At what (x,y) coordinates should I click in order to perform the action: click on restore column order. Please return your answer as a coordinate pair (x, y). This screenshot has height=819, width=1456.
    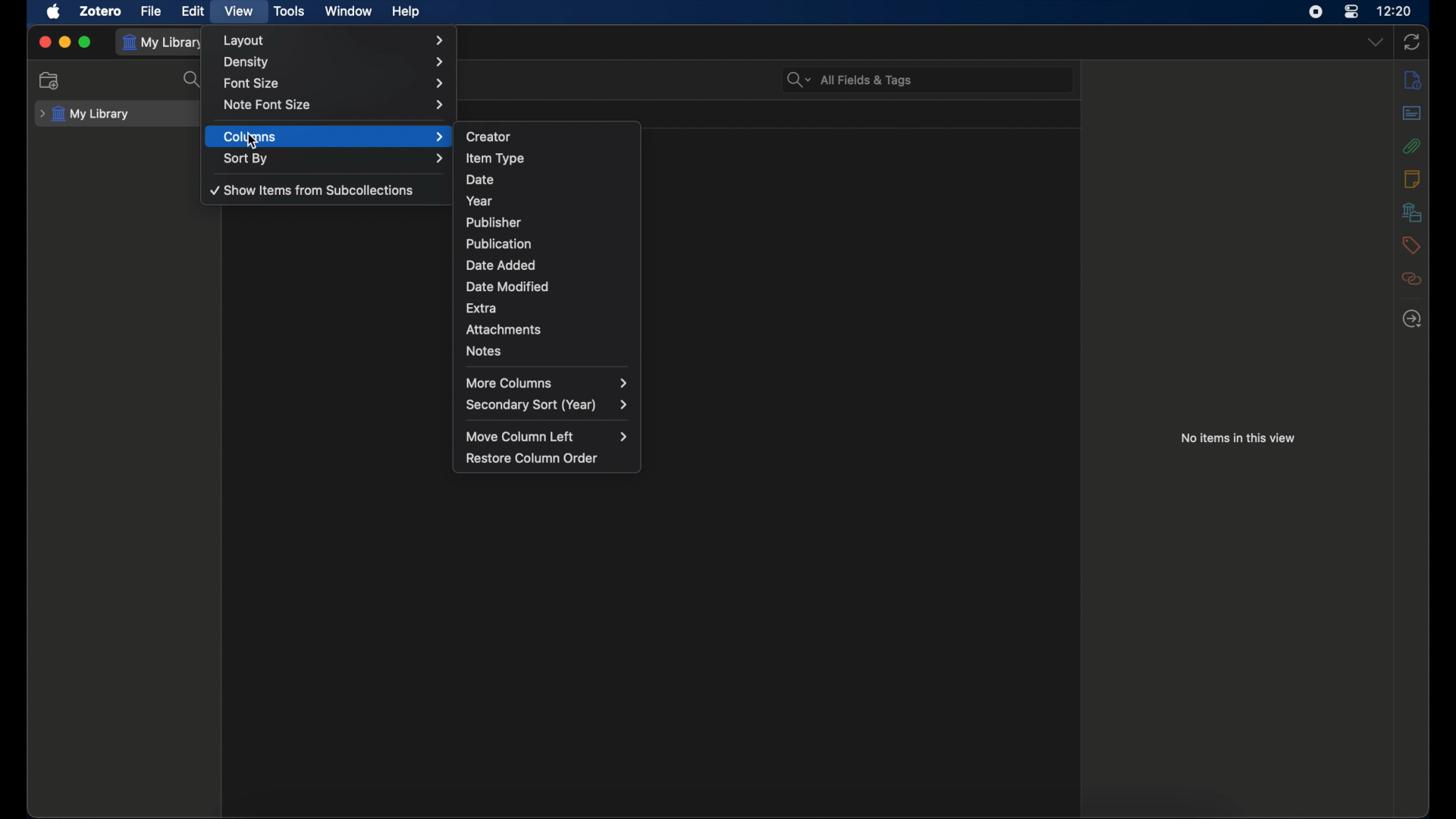
    Looking at the image, I should click on (532, 458).